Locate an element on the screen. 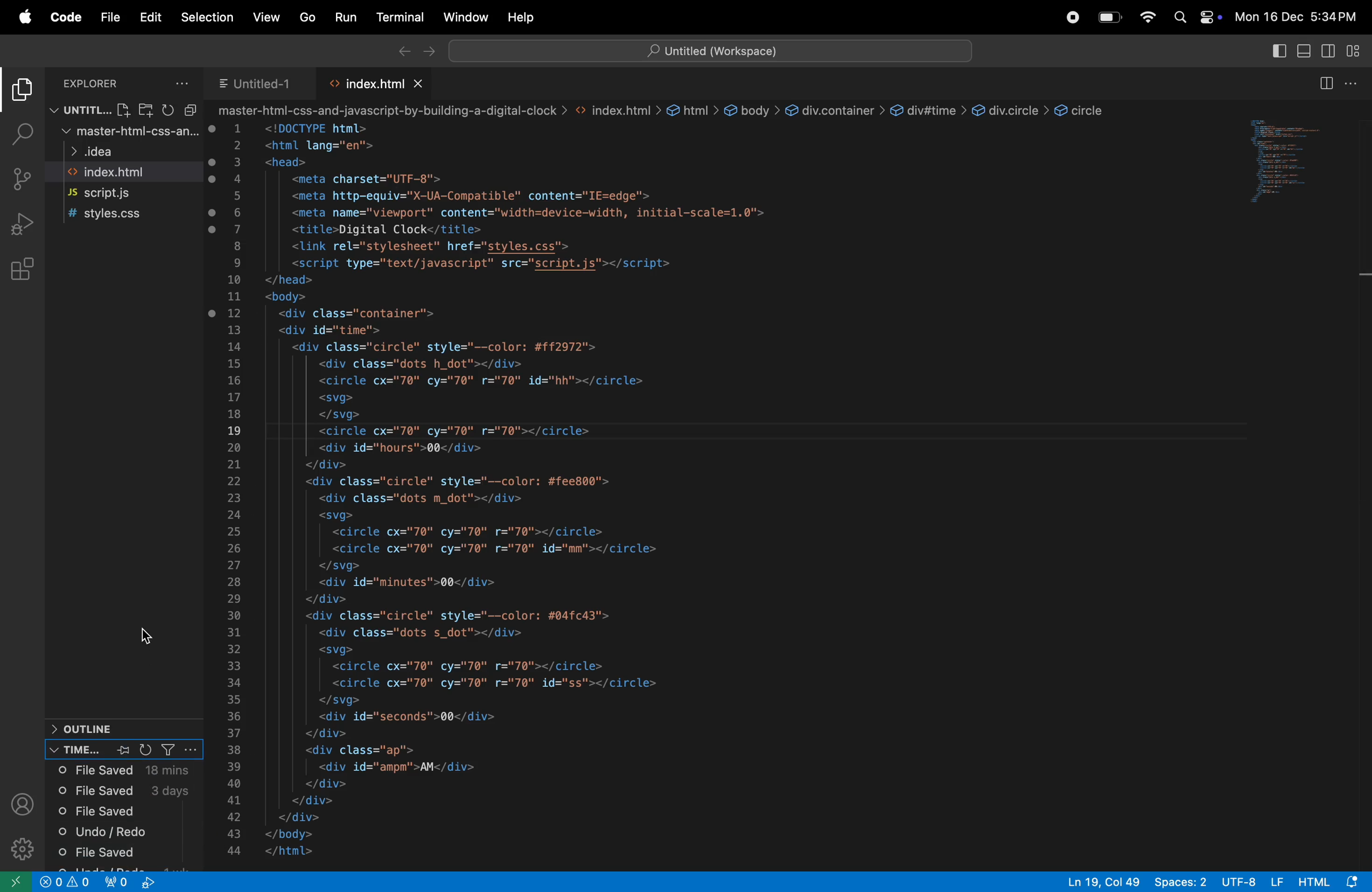 The width and height of the screenshot is (1372, 892). </head> is located at coordinates (289, 279).